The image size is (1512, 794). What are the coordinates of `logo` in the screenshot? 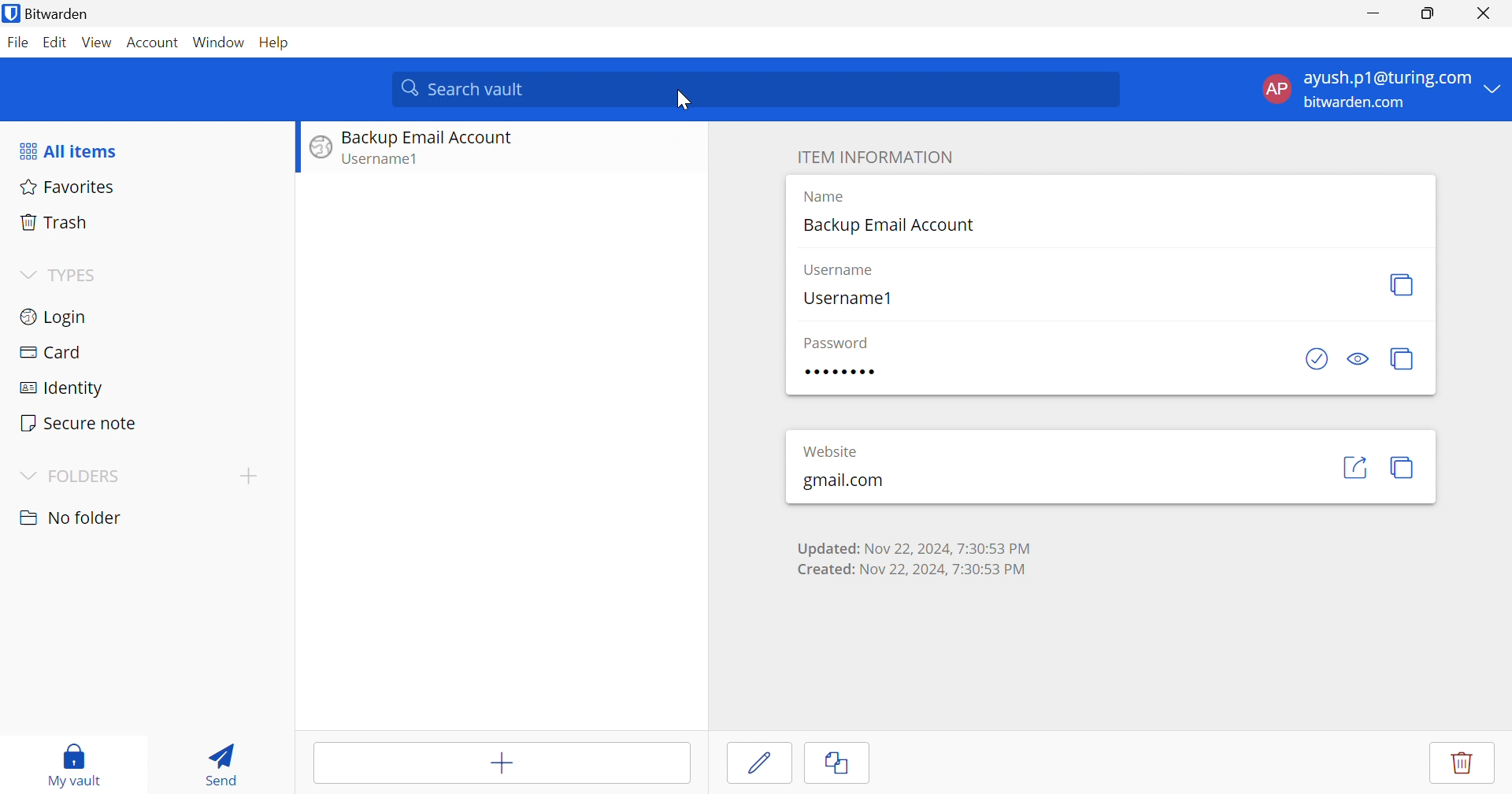 It's located at (317, 148).